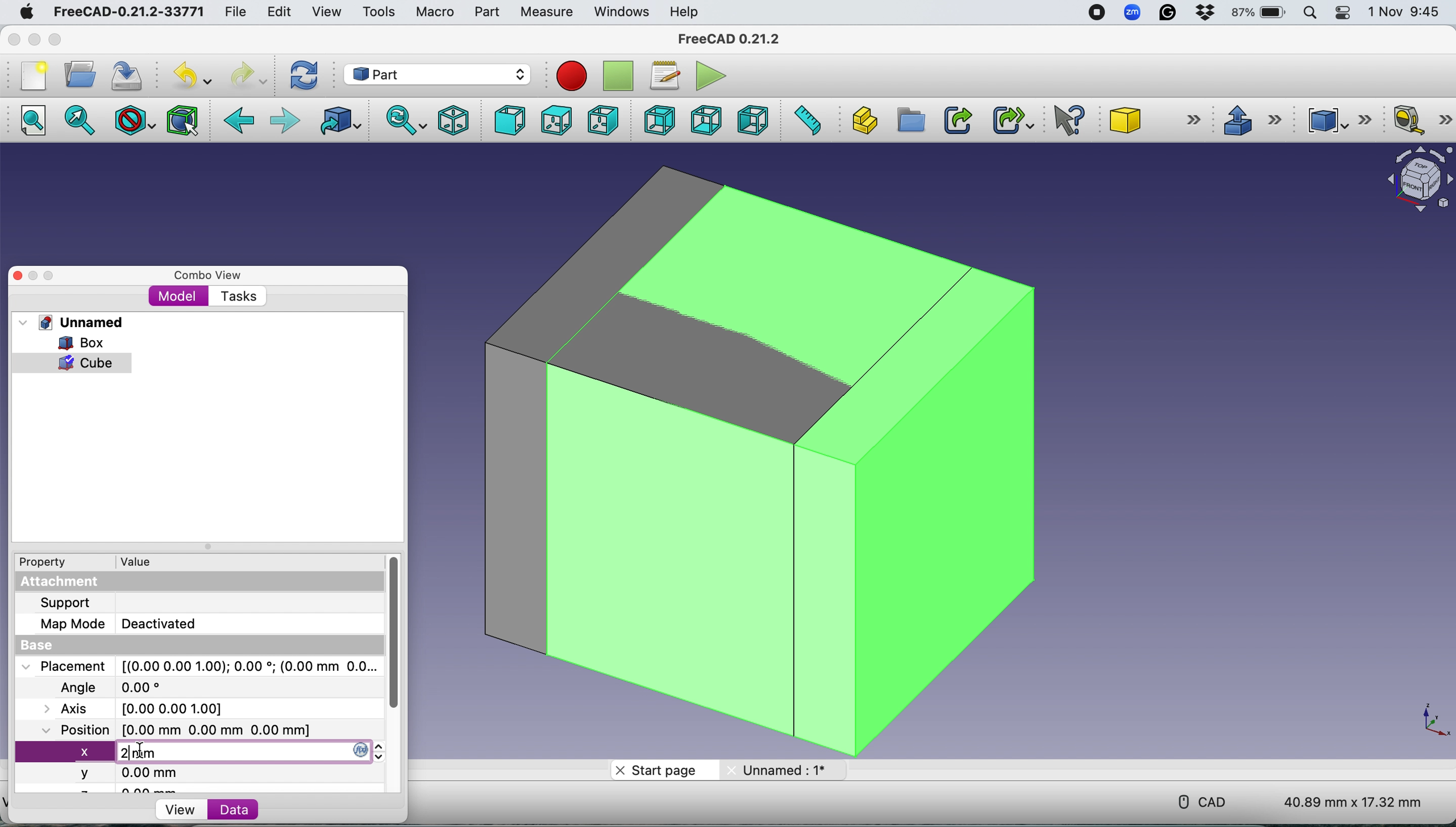 The width and height of the screenshot is (1456, 827). What do you see at coordinates (84, 322) in the screenshot?
I see `Unnamed` at bounding box center [84, 322].